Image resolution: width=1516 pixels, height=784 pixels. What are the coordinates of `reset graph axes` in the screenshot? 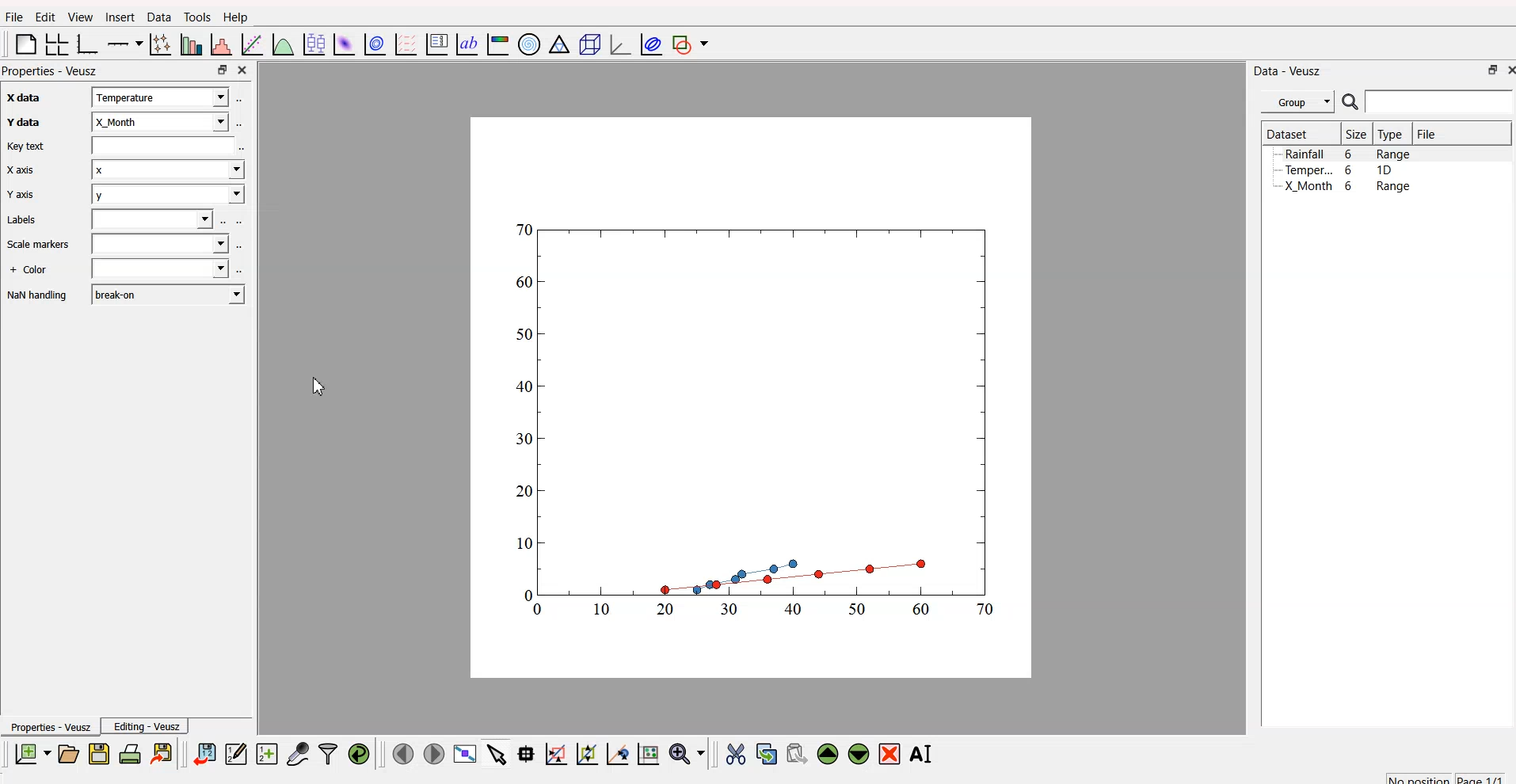 It's located at (651, 752).